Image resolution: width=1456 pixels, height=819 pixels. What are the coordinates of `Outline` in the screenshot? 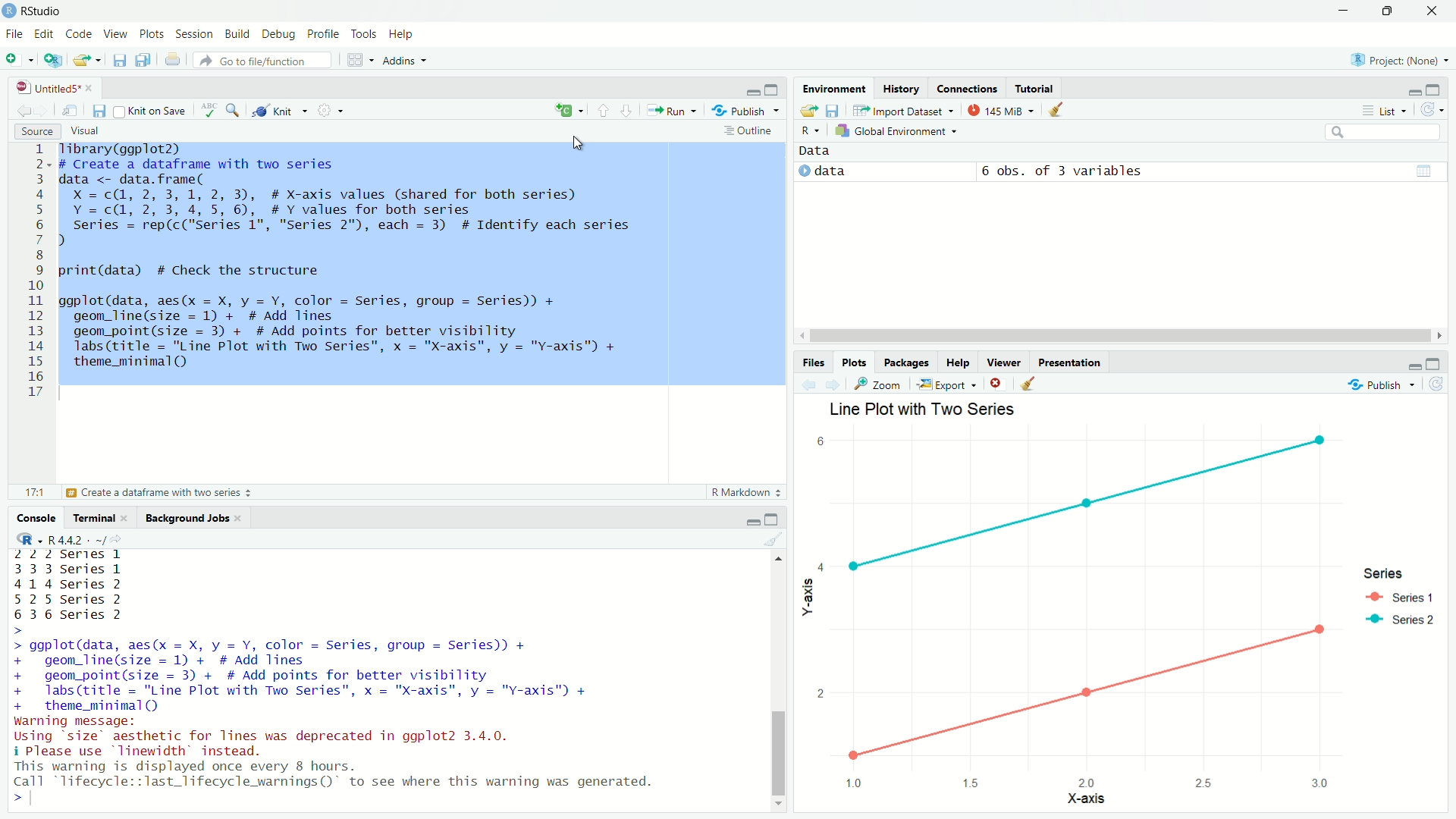 It's located at (748, 130).